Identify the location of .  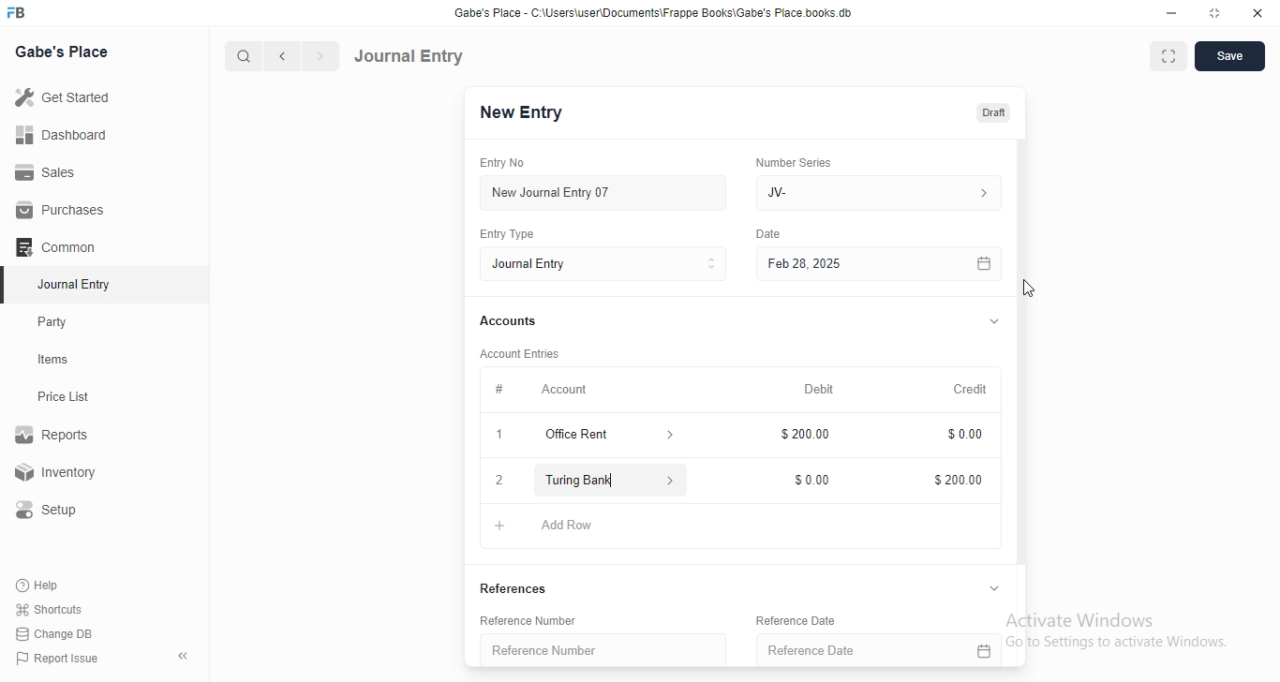
(806, 481).